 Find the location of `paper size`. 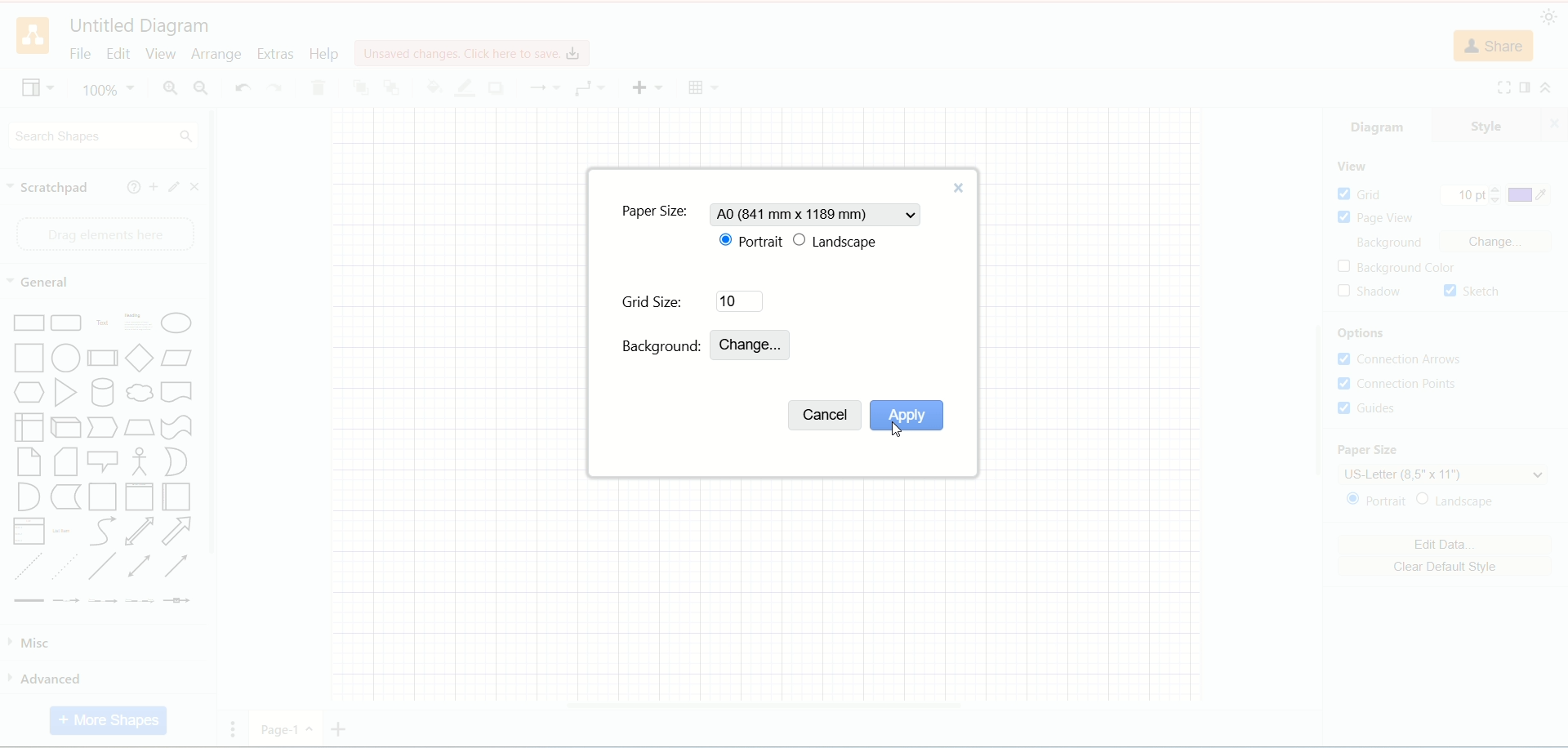

paper size is located at coordinates (656, 215).